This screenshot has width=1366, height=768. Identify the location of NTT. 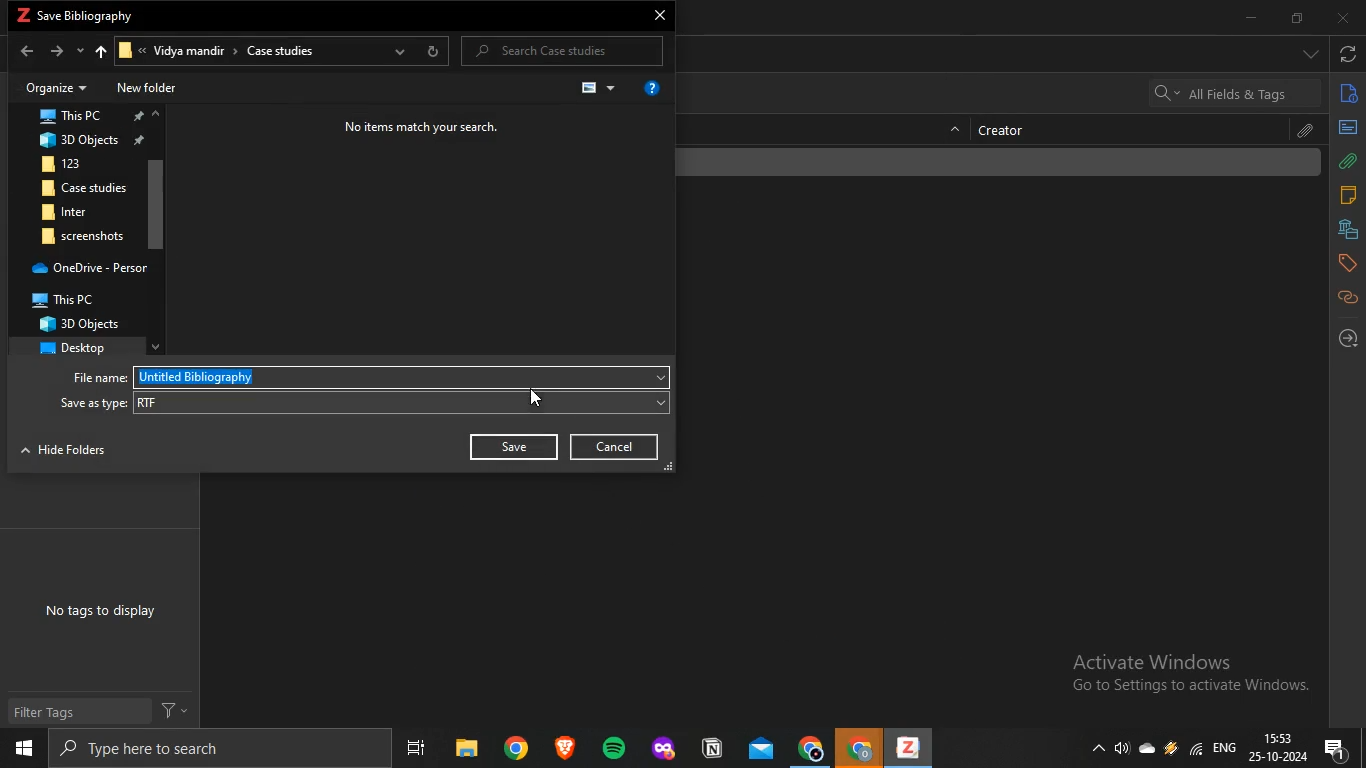
(66, 449).